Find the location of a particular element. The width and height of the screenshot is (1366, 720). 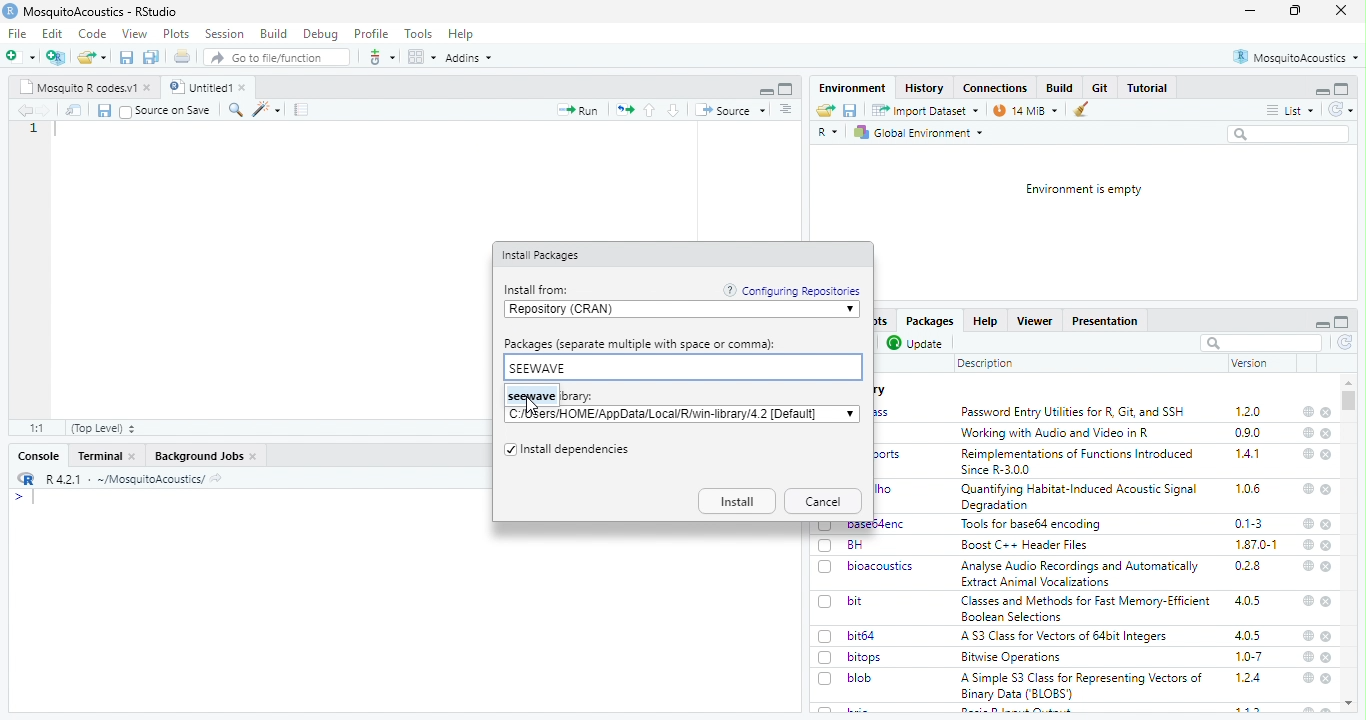

Git is located at coordinates (1102, 87).